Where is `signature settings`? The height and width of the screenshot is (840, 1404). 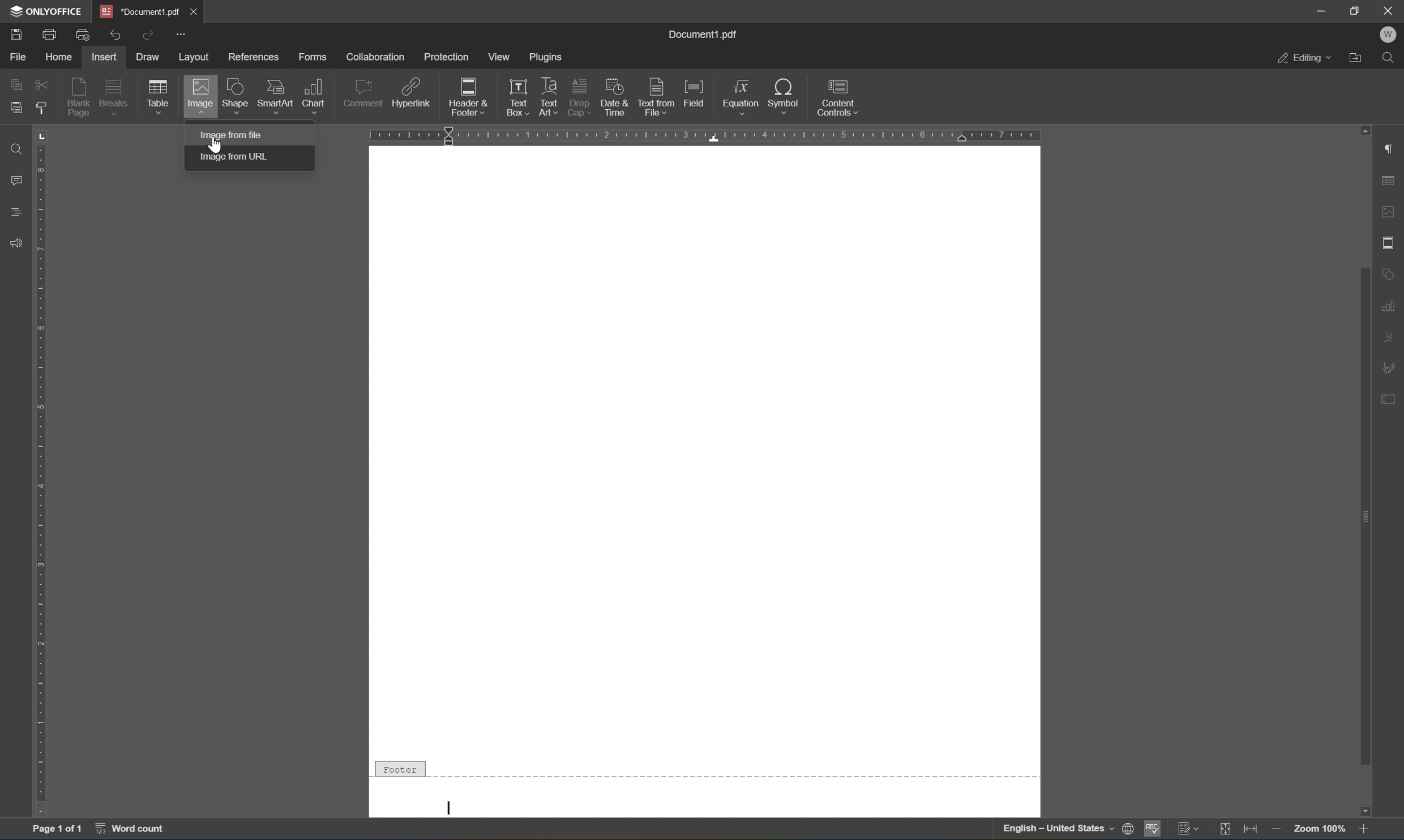 signature settings is located at coordinates (1391, 367).